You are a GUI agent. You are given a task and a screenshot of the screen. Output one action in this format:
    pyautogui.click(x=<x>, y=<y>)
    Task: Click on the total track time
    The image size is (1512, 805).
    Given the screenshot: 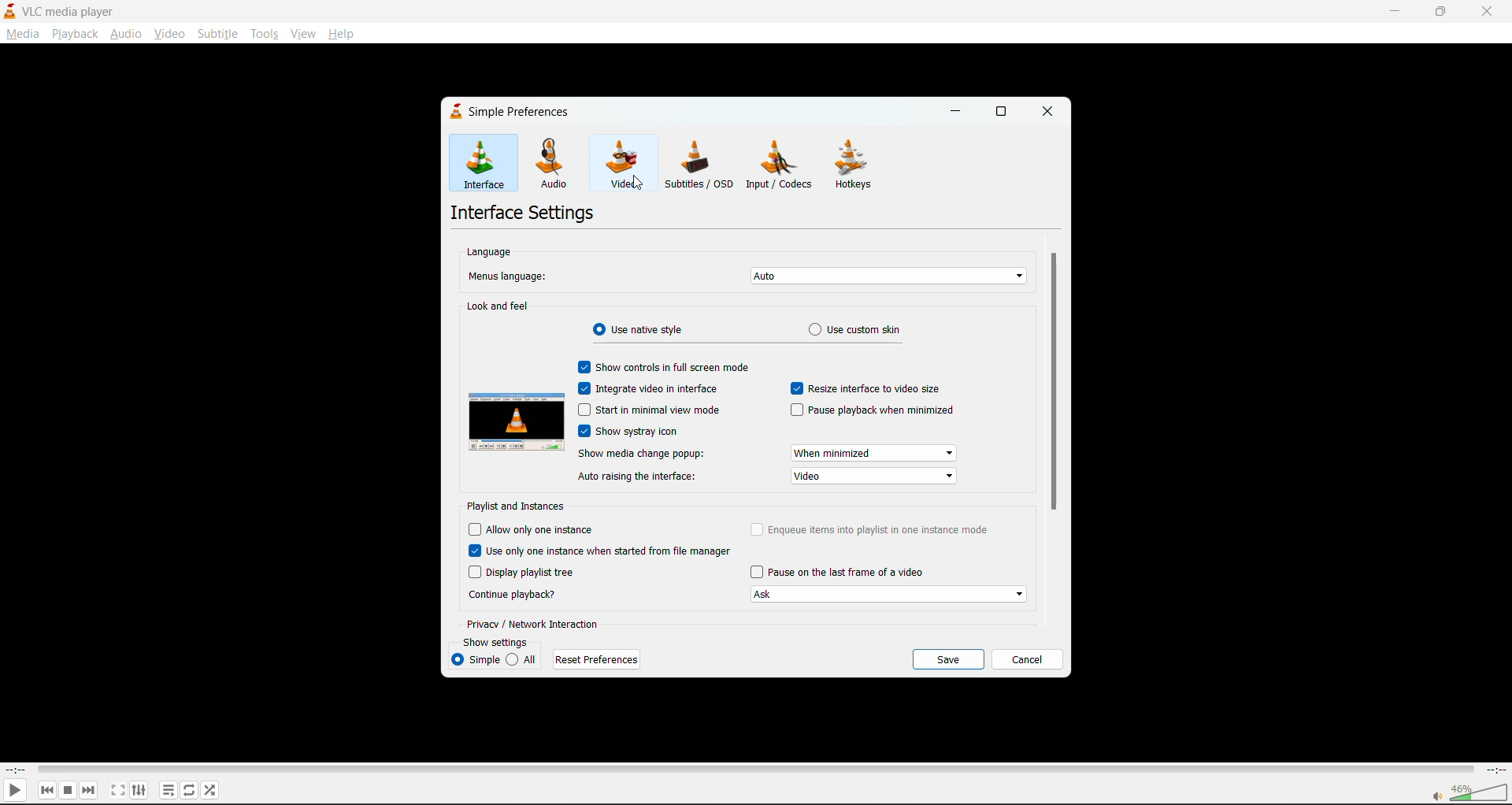 What is the action you would take?
    pyautogui.click(x=1495, y=769)
    